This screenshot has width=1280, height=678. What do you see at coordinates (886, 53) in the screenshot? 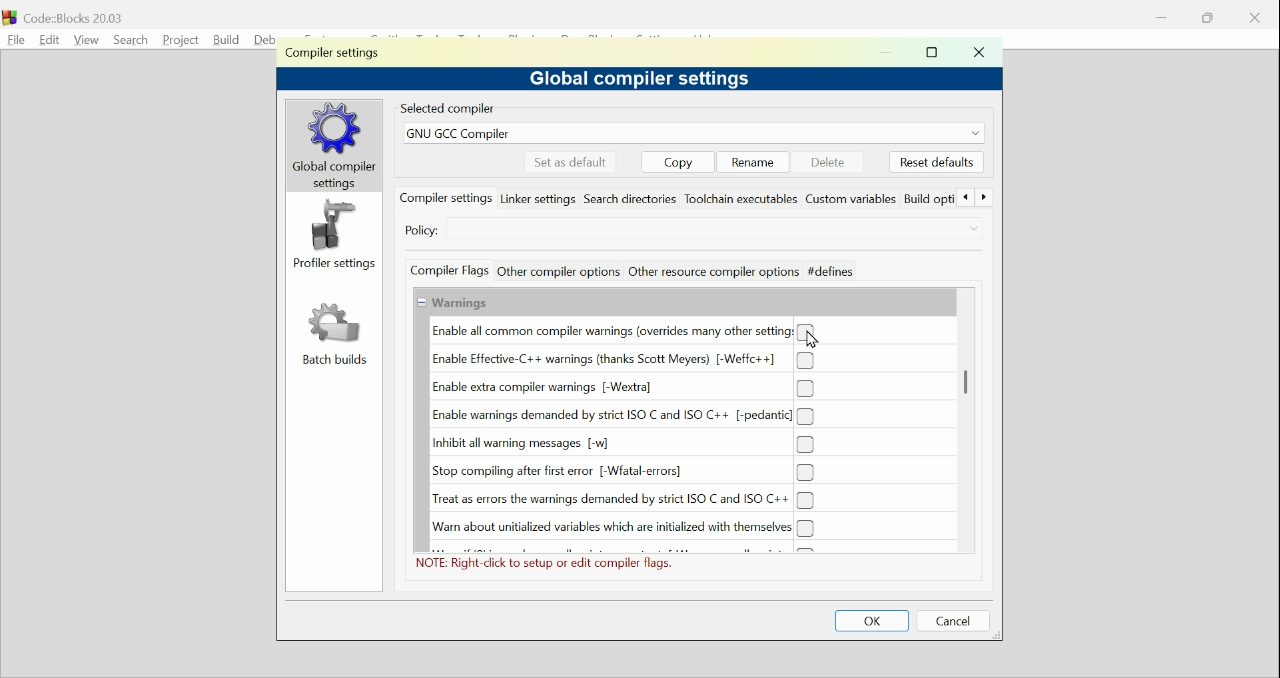
I see `minimise` at bounding box center [886, 53].